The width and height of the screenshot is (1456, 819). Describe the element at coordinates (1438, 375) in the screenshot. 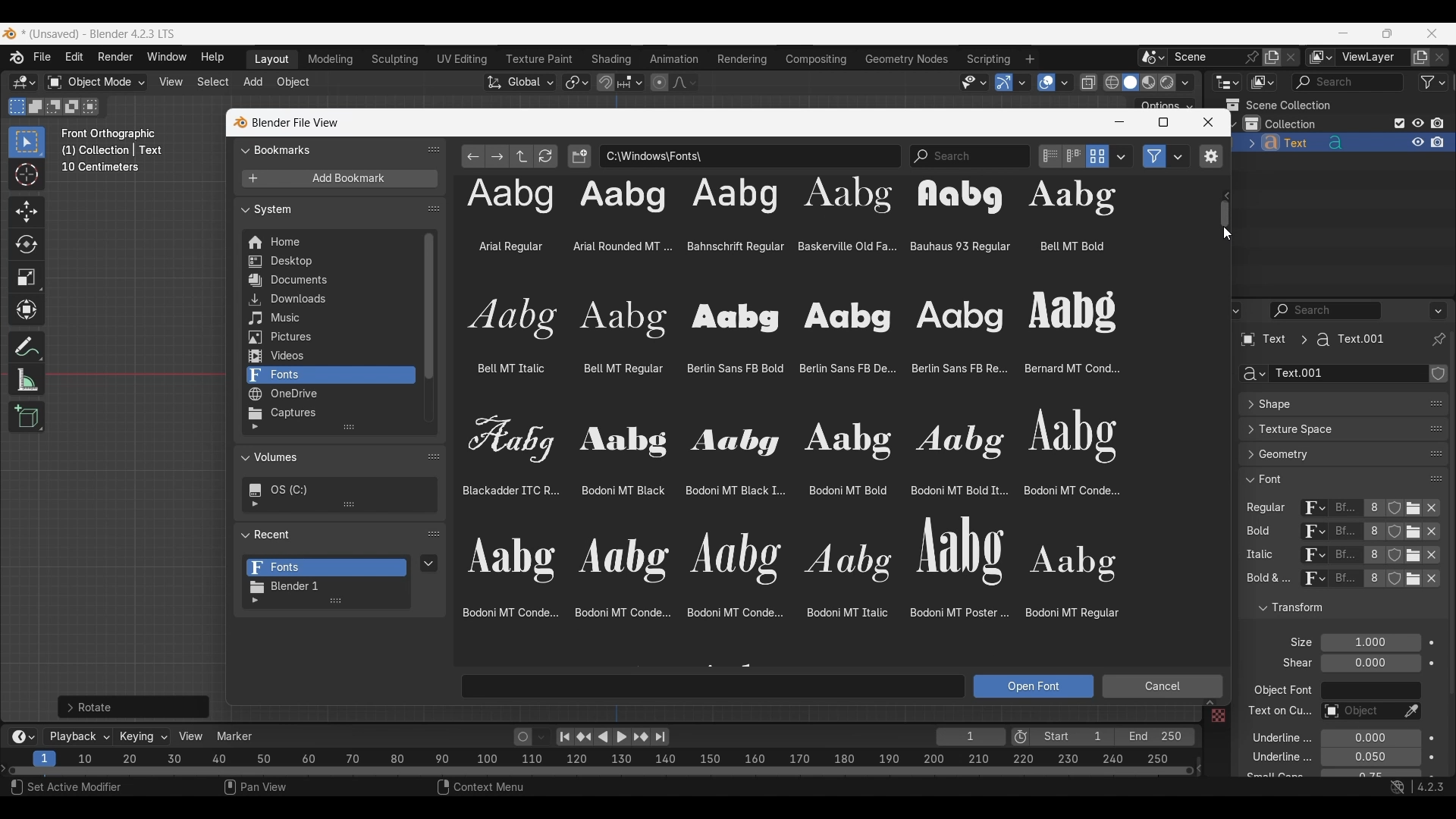

I see `Change order in the list` at that location.